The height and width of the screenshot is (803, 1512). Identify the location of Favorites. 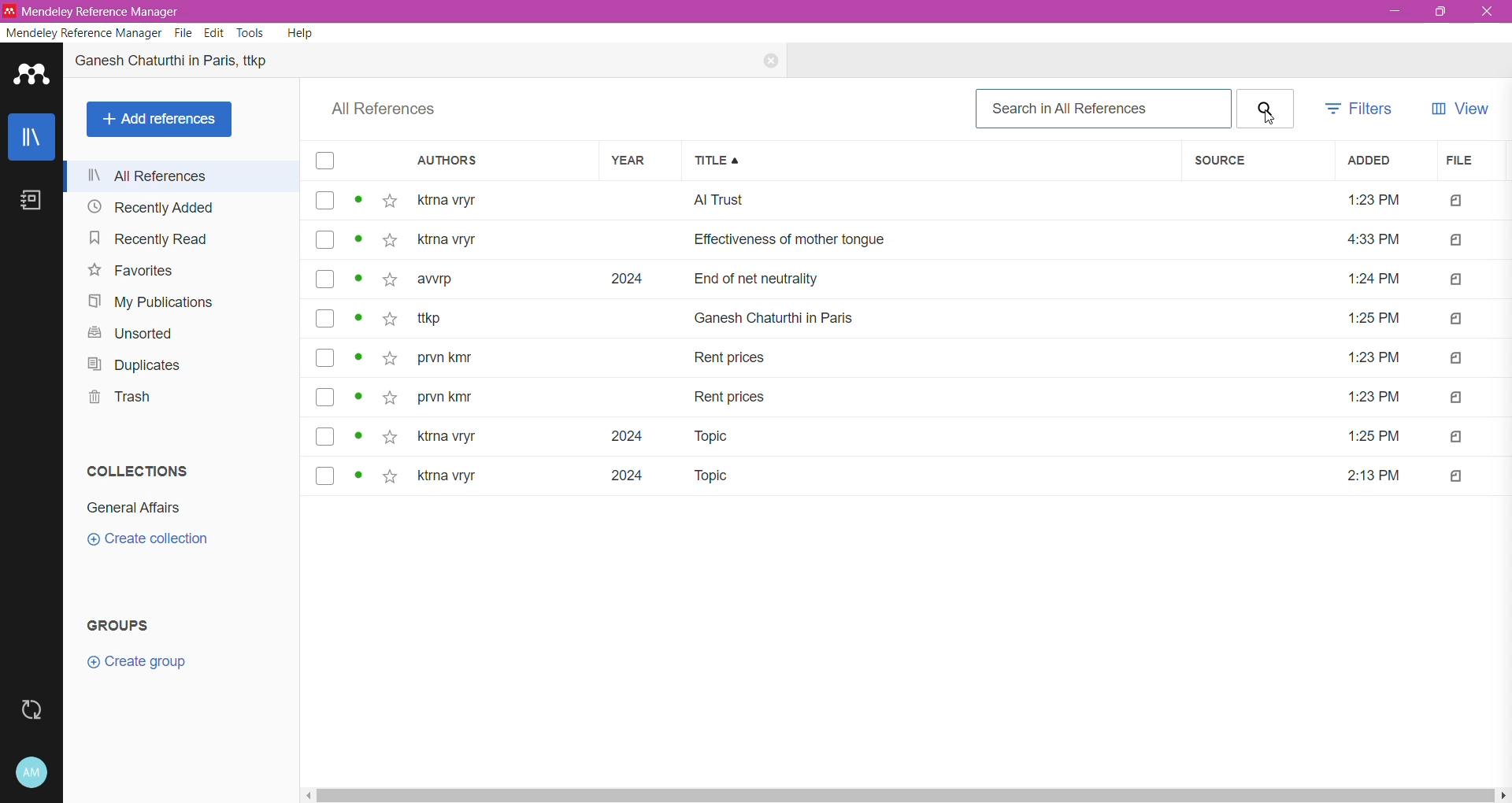
(131, 271).